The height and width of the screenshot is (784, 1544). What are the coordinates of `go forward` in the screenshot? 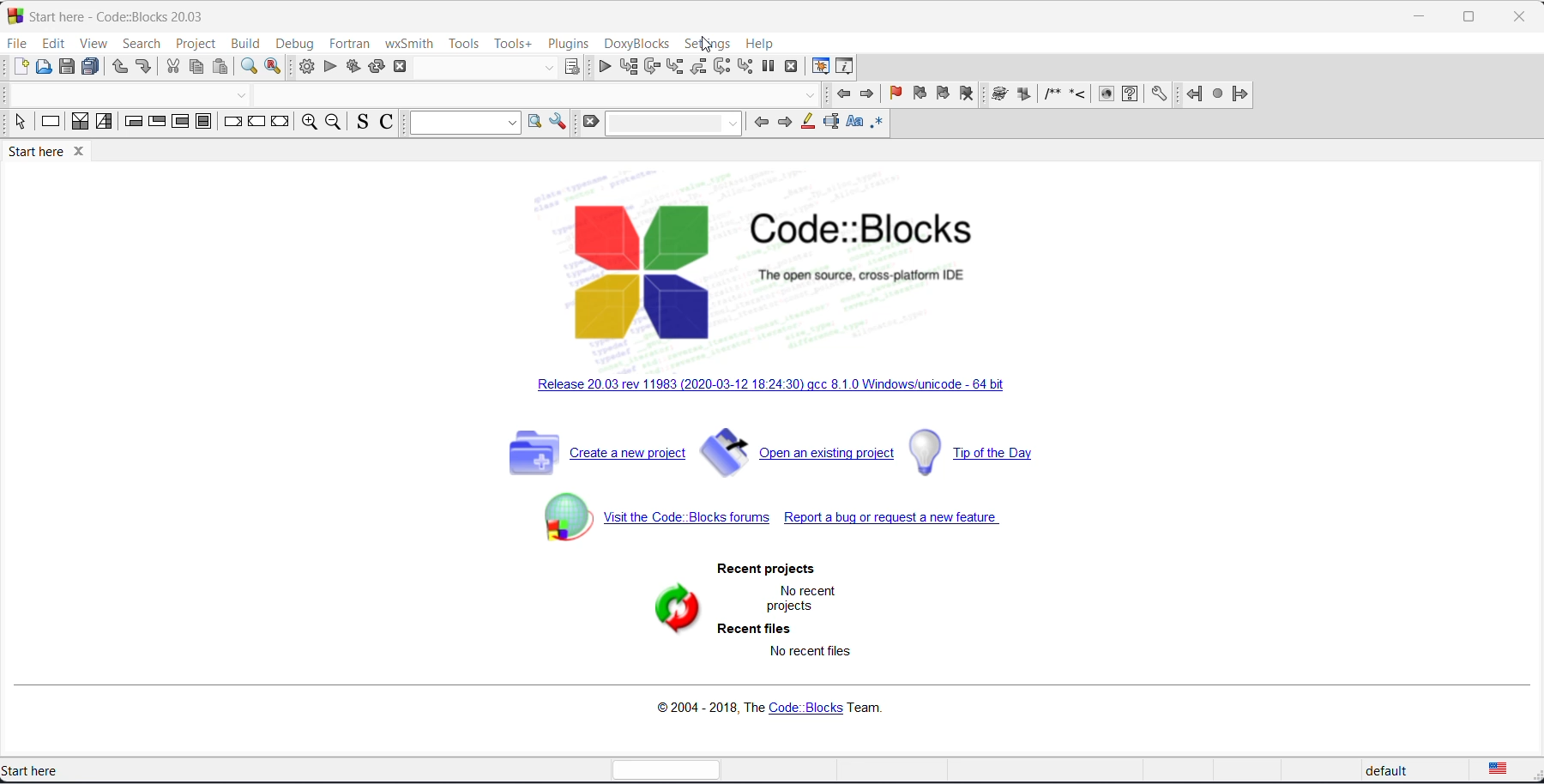 It's located at (869, 94).